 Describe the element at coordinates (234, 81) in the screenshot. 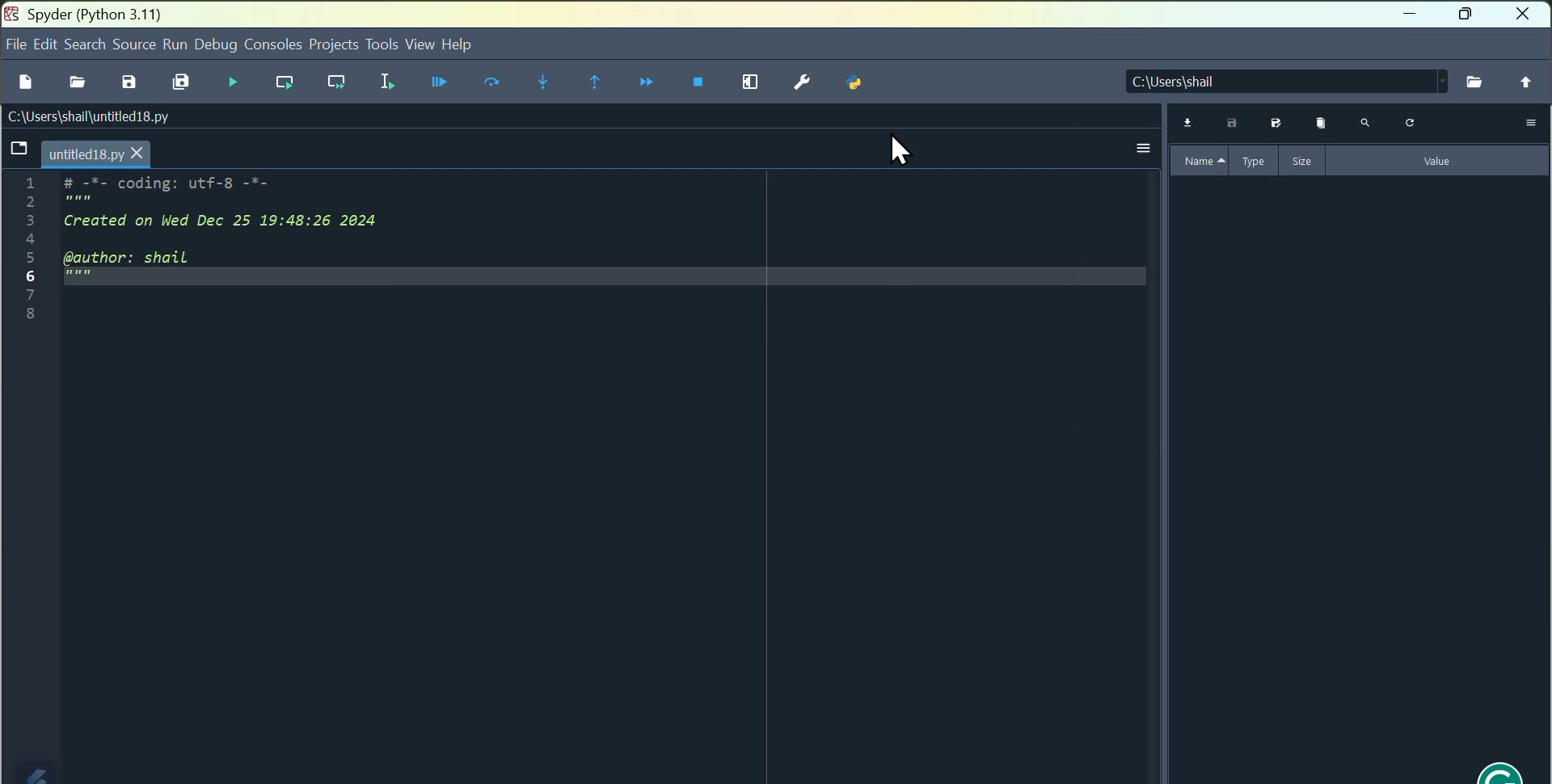

I see `Run file` at that location.